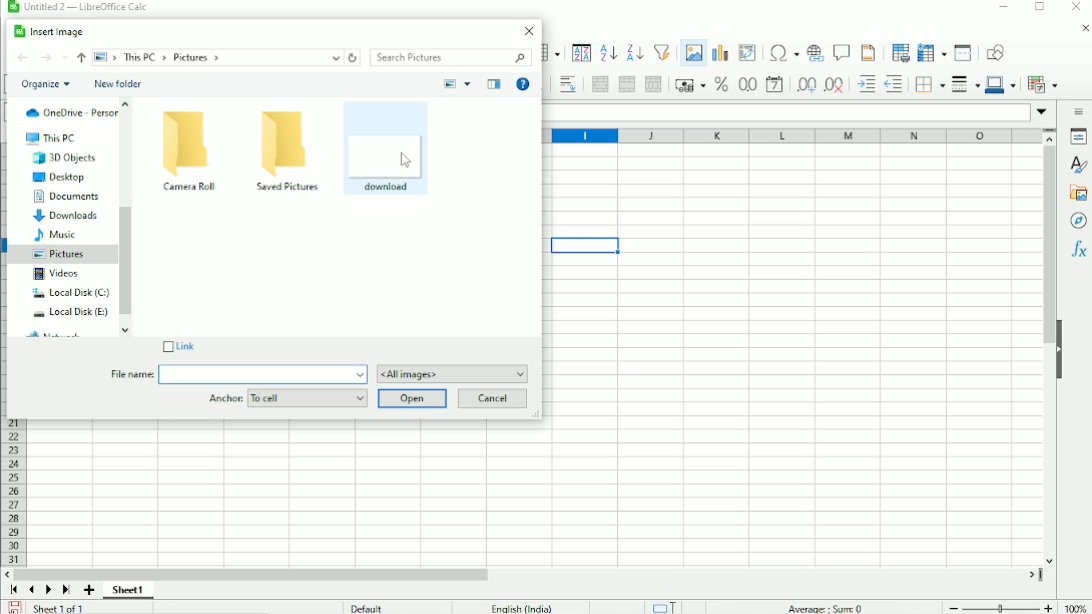 The image size is (1092, 614). I want to click on Active cell, so click(585, 248).